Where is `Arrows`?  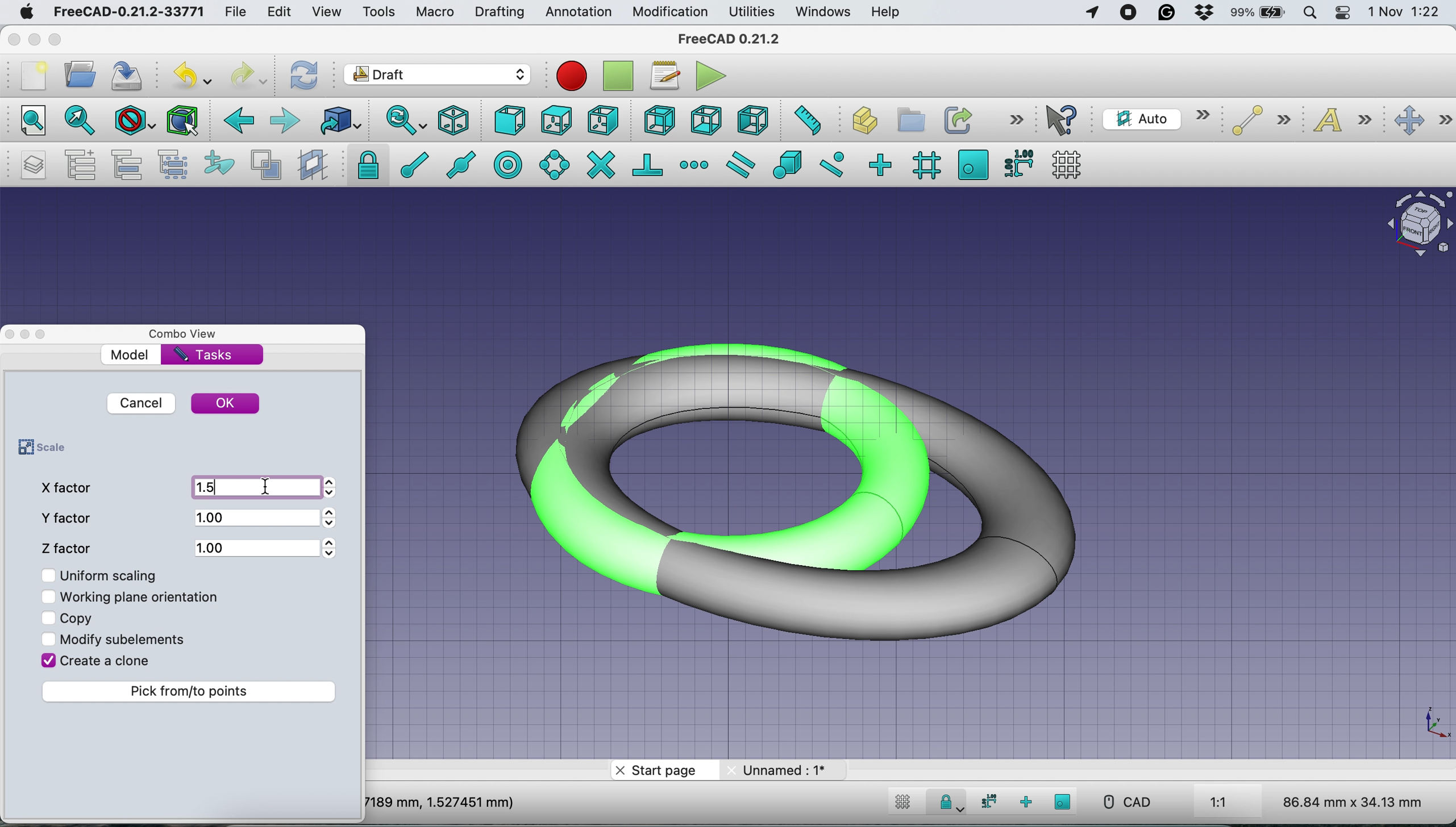 Arrows is located at coordinates (334, 519).